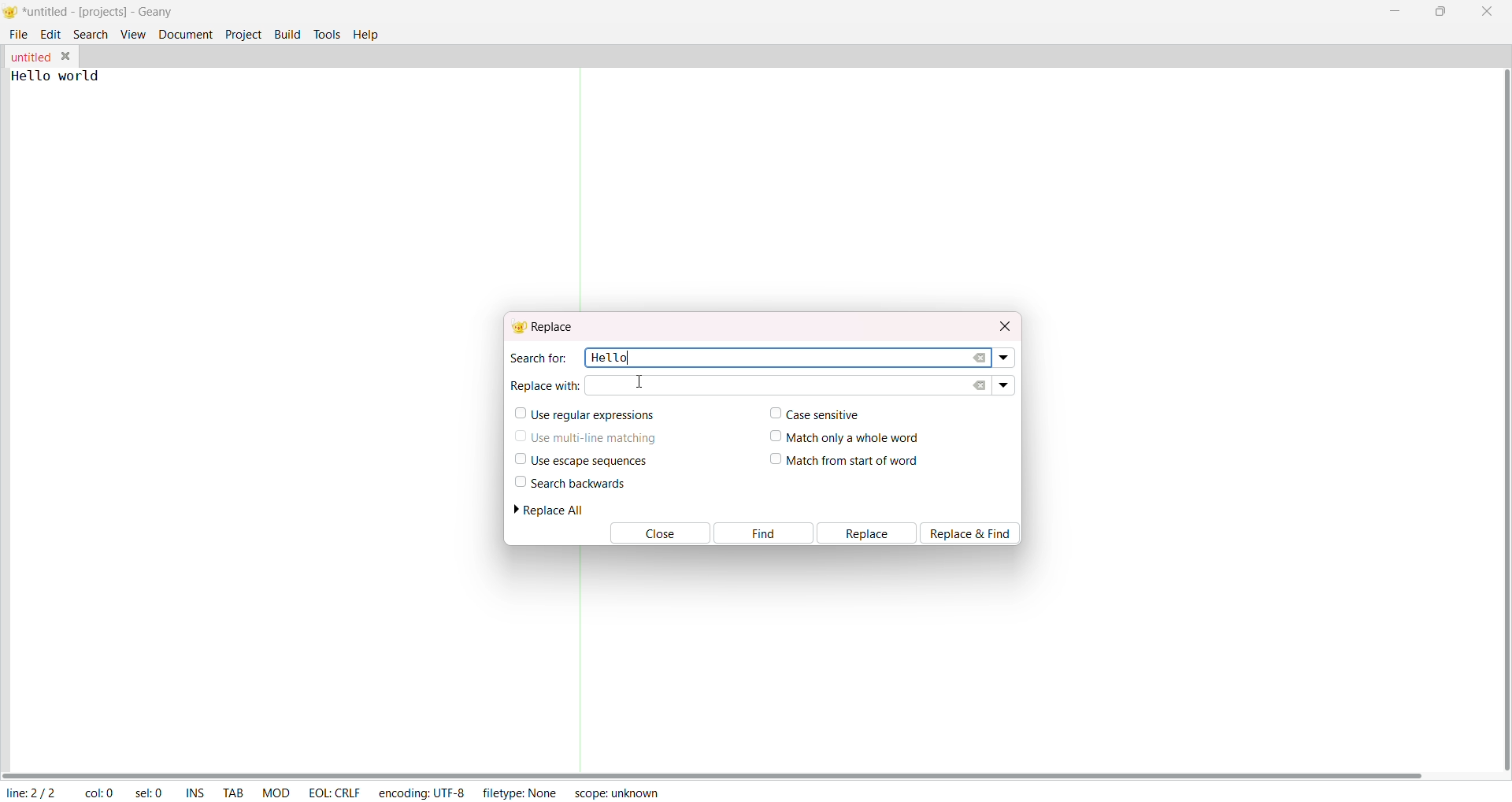 The image size is (1512, 802). I want to click on clear replace, so click(980, 385).